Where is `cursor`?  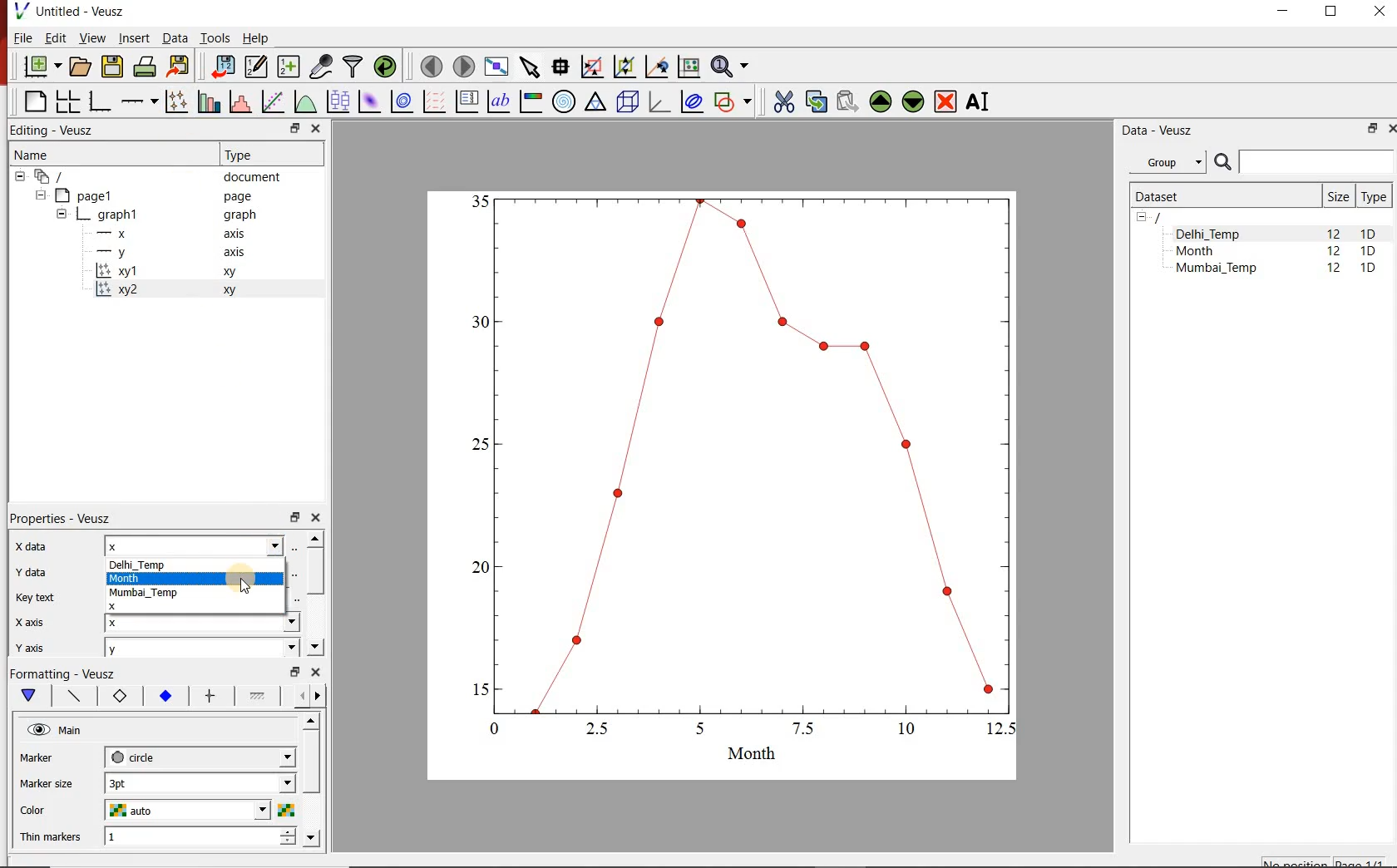 cursor is located at coordinates (242, 581).